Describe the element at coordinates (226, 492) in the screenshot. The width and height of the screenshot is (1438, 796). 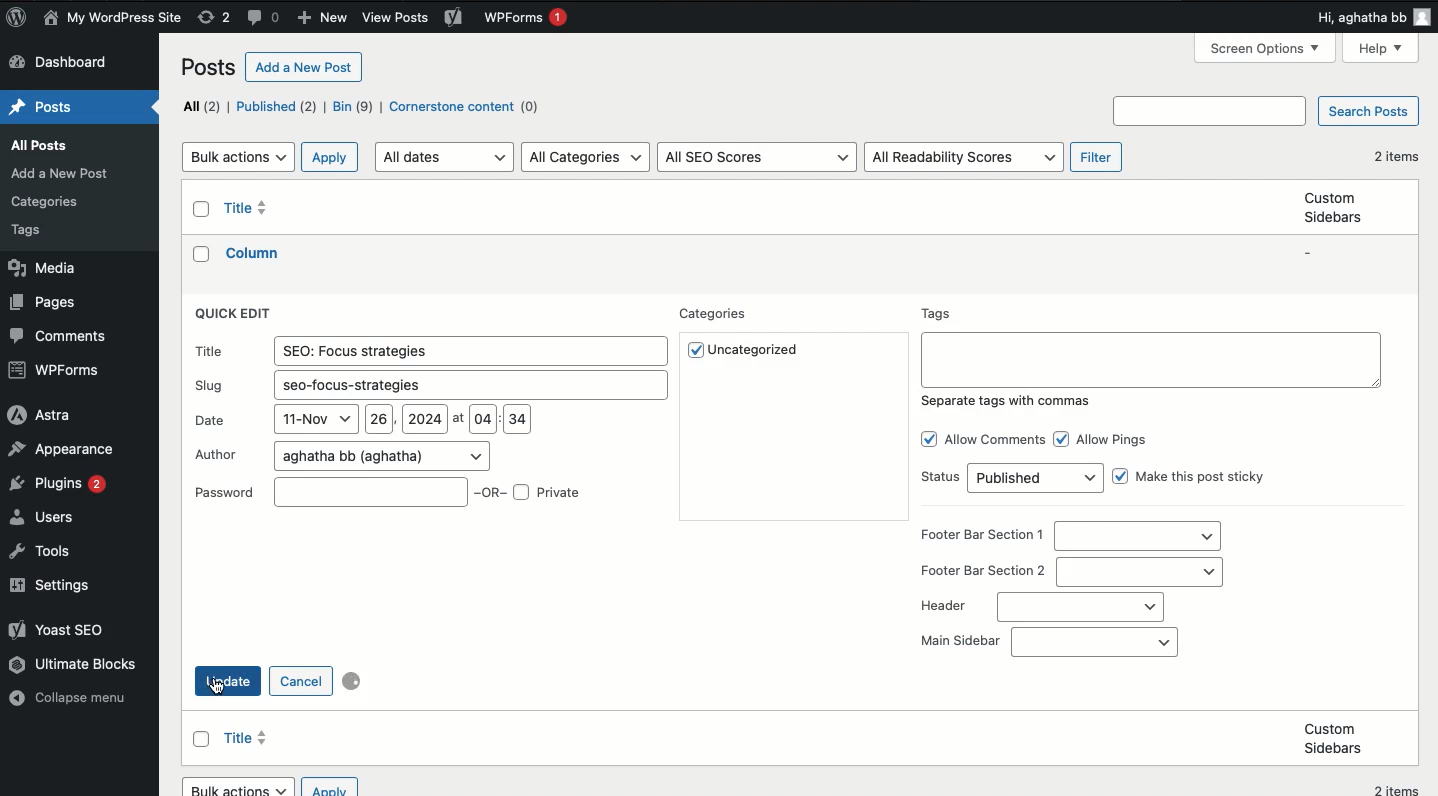
I see `textPassword ` at that location.